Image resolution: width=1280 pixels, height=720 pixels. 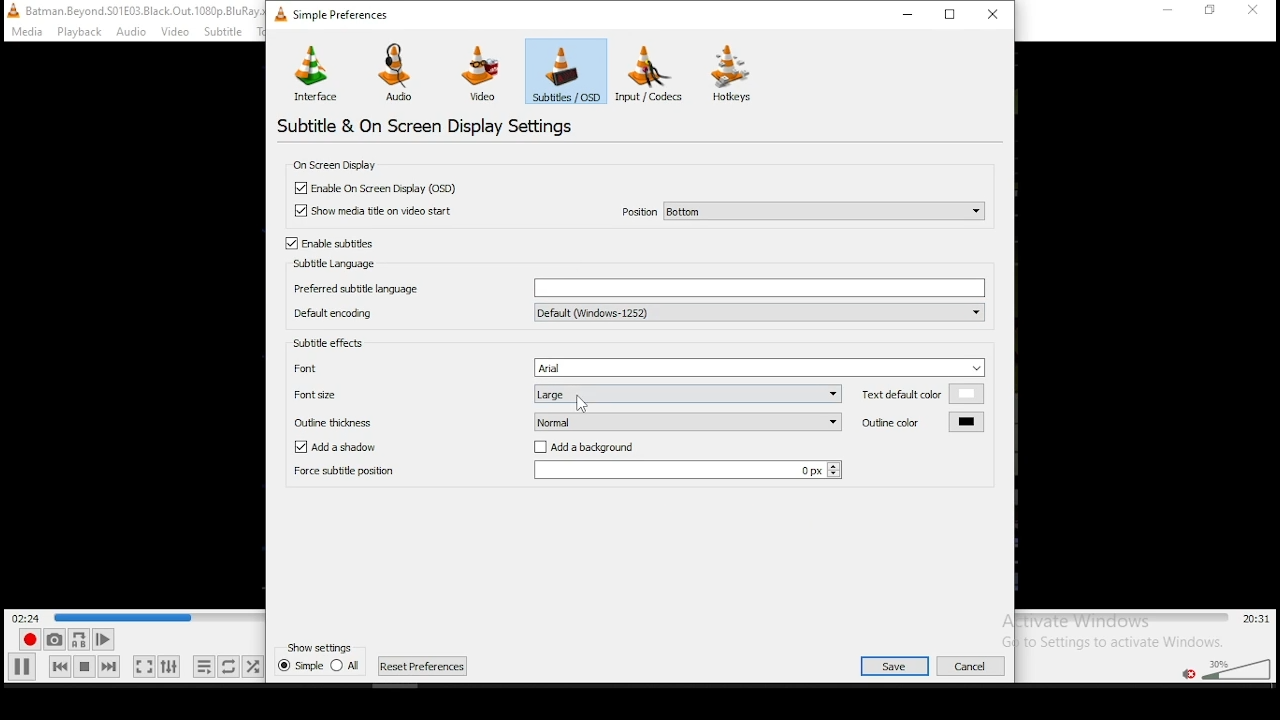 What do you see at coordinates (952, 13) in the screenshot?
I see `restore` at bounding box center [952, 13].